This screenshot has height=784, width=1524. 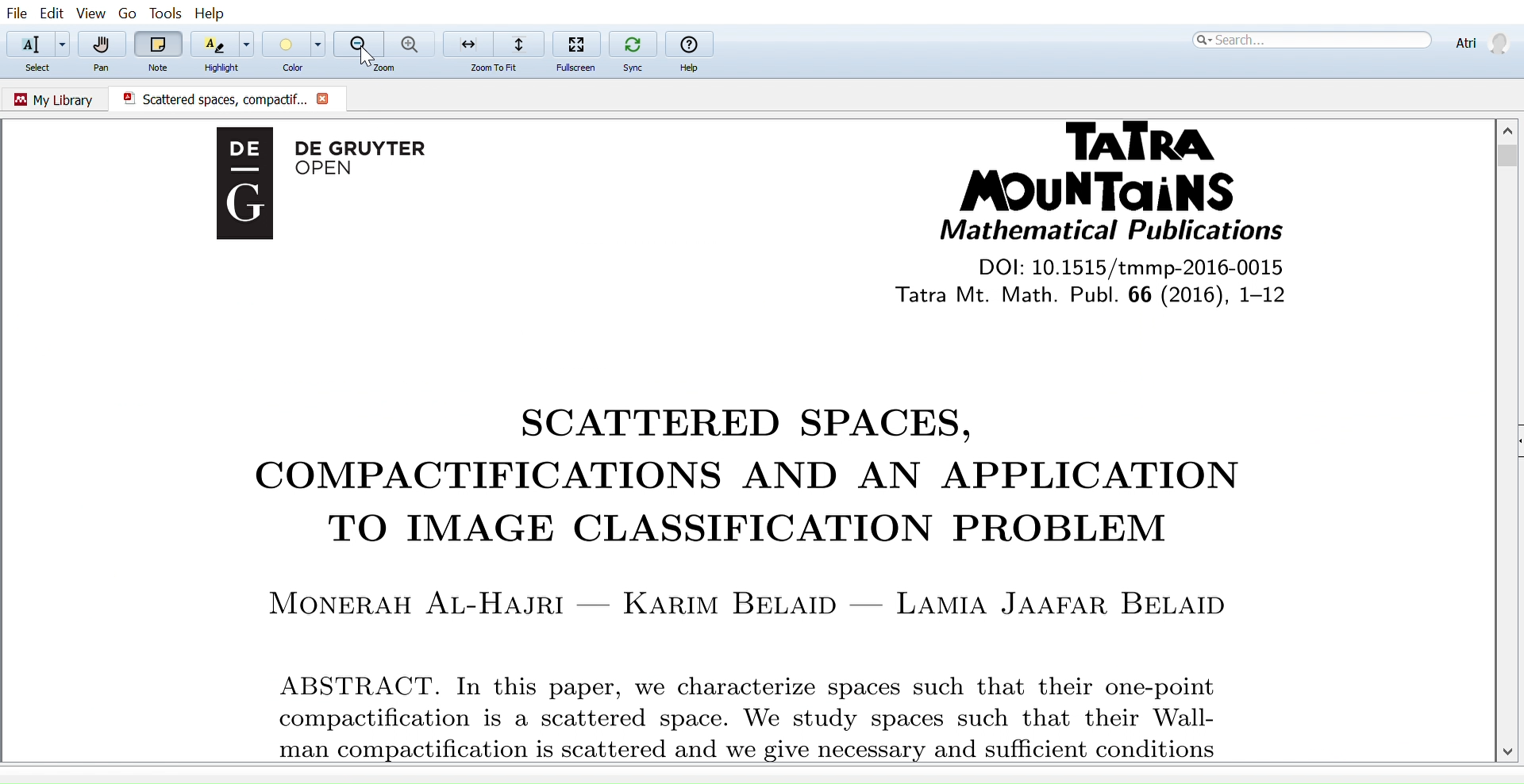 What do you see at coordinates (572, 68) in the screenshot?
I see `Fullscreen` at bounding box center [572, 68].